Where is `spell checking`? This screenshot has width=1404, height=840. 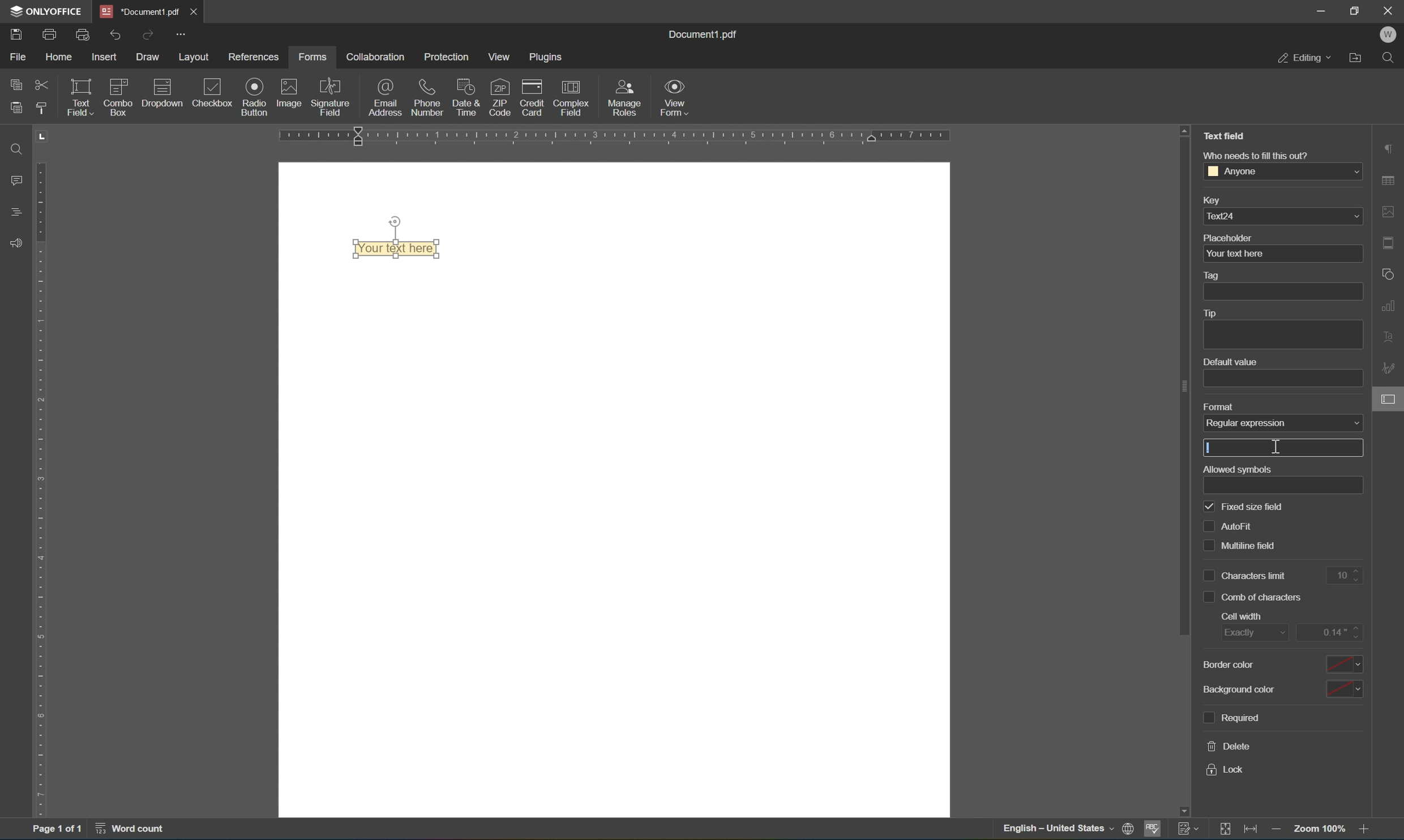
spell checking is located at coordinates (1153, 832).